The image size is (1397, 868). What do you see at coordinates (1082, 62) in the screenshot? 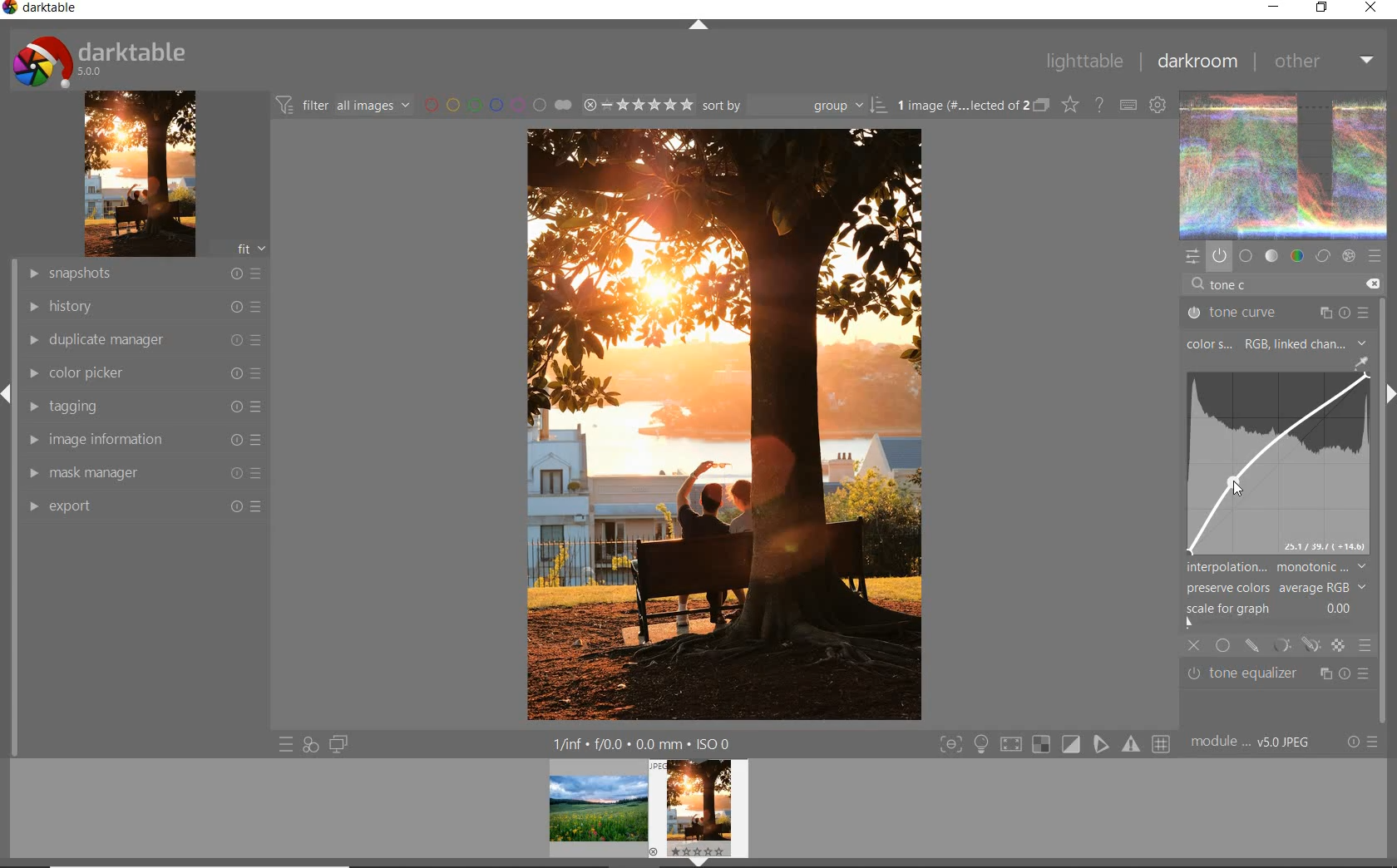
I see `lighttable` at bounding box center [1082, 62].